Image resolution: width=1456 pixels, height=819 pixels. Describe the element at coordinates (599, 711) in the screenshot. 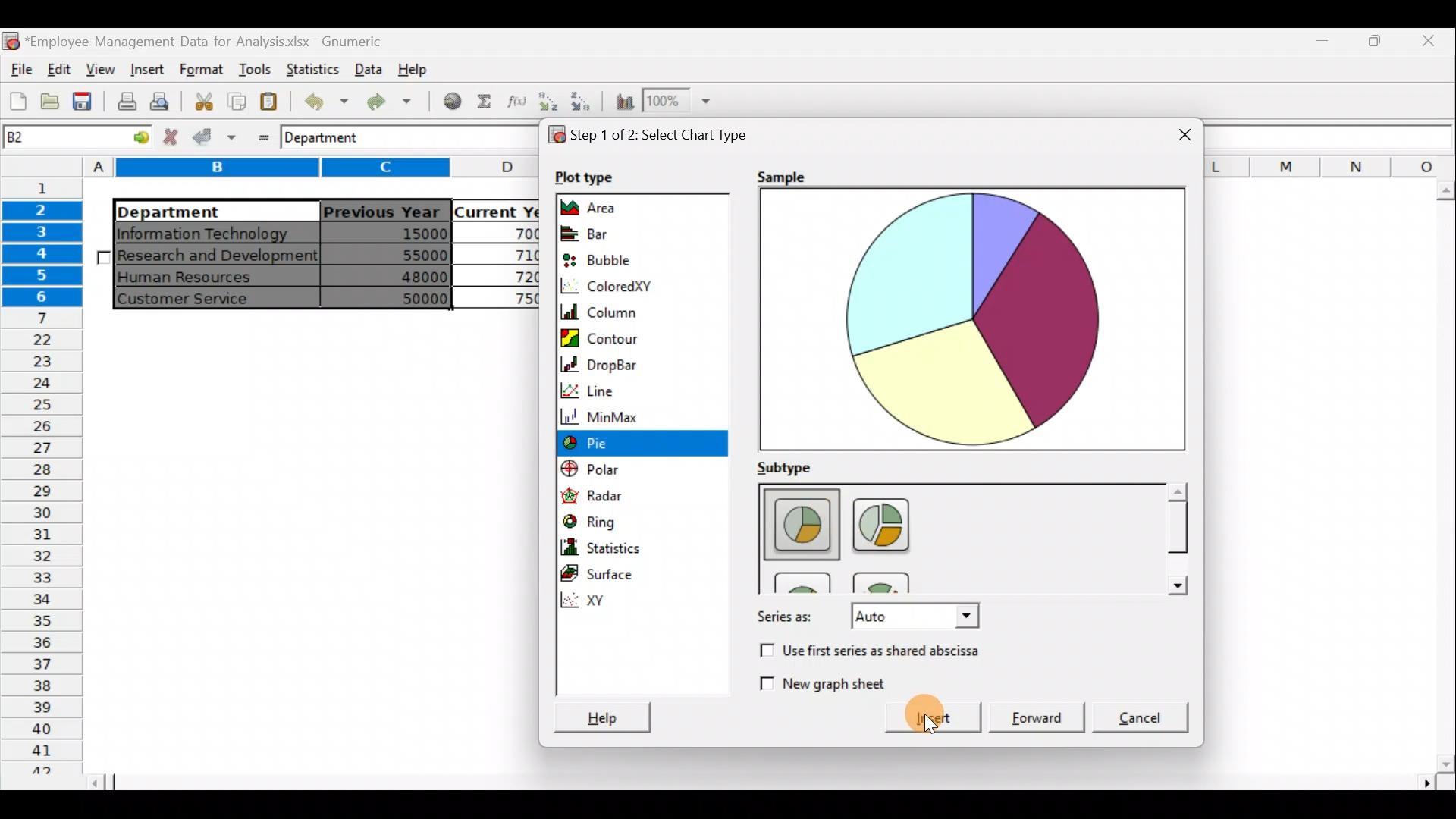

I see `Help` at that location.